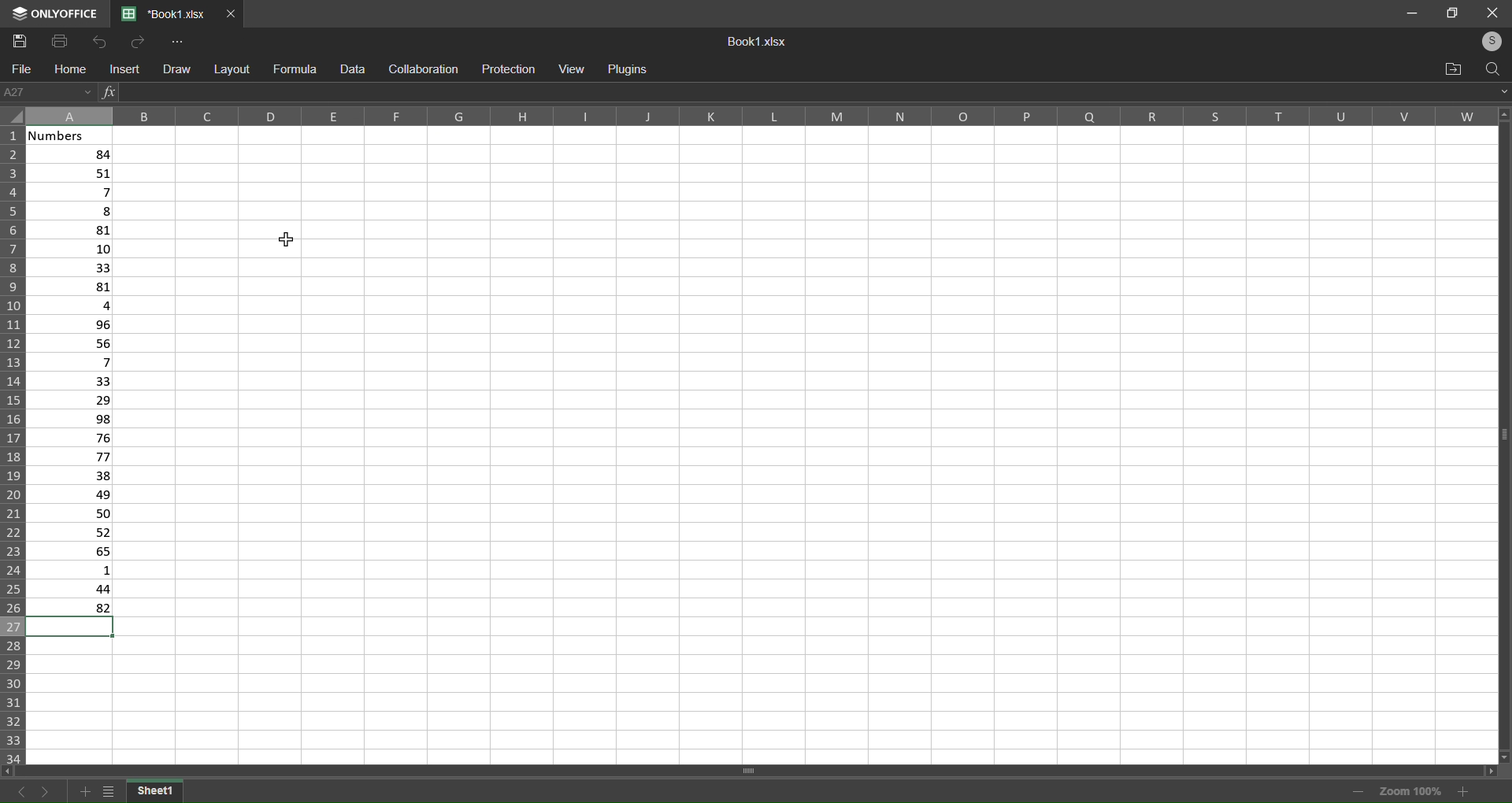 The width and height of the screenshot is (1512, 803). Describe the element at coordinates (232, 13) in the screenshot. I see `Close Tab` at that location.